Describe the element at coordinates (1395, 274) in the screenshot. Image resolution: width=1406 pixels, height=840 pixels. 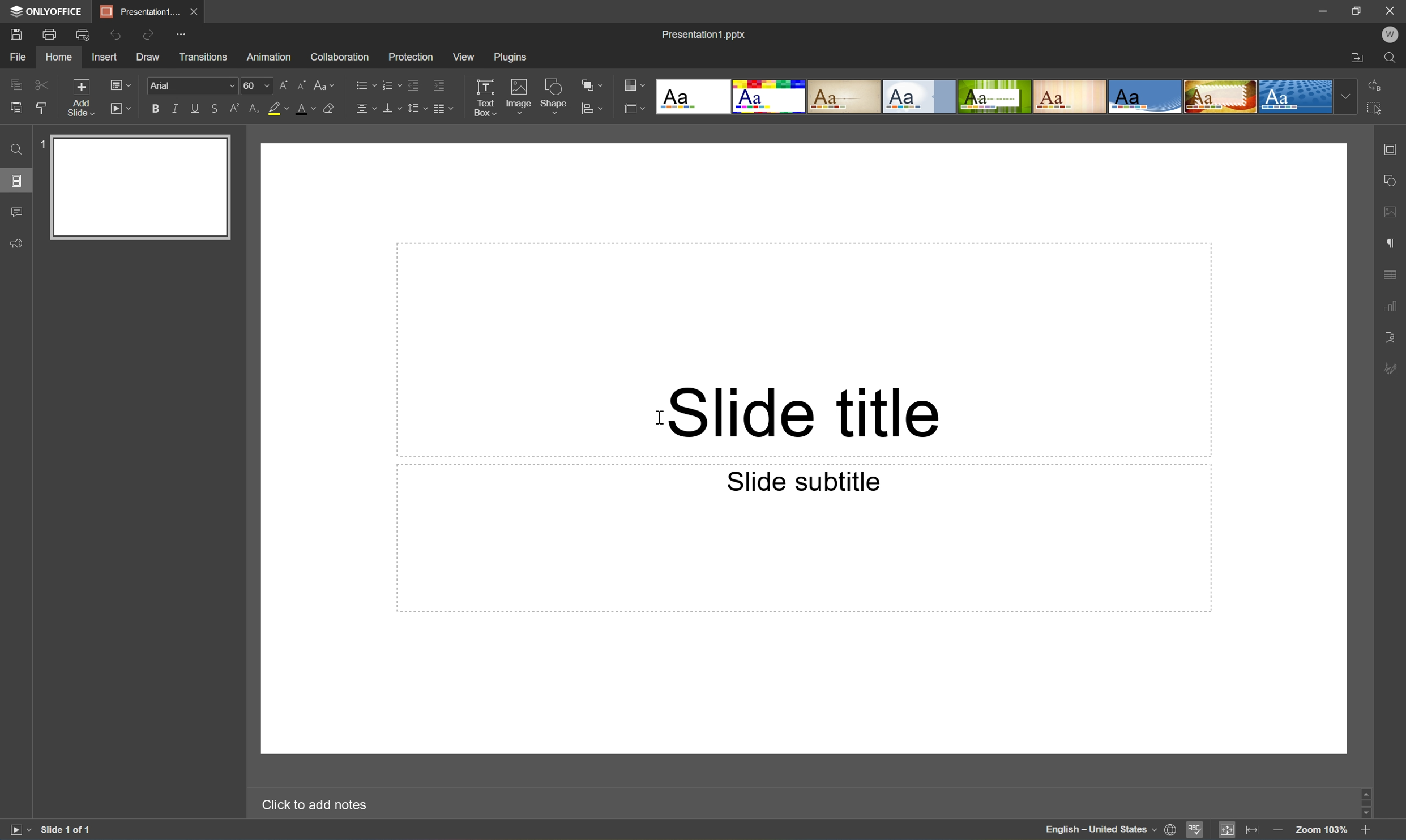
I see `Table settings` at that location.